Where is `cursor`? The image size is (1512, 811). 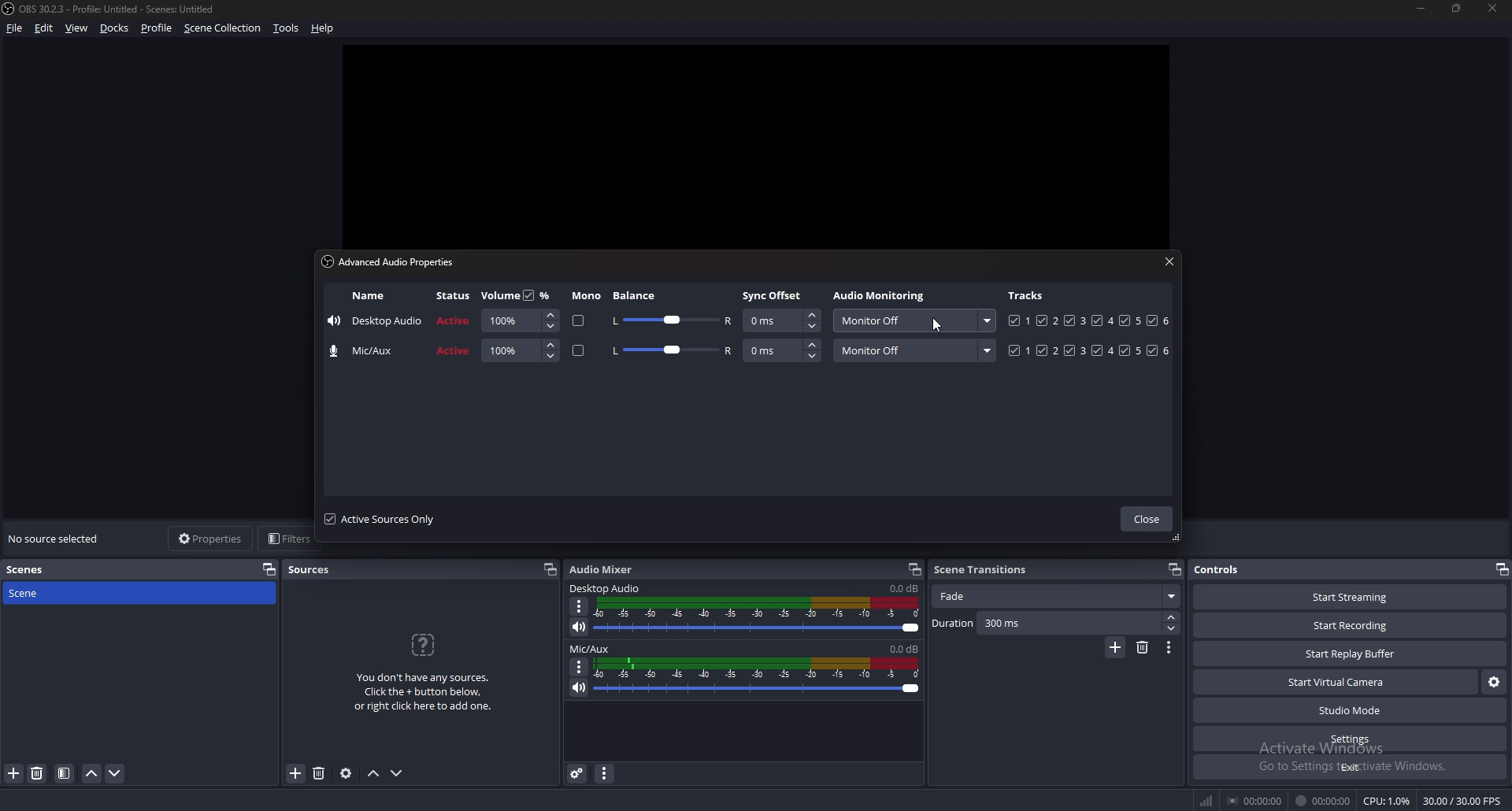
cursor is located at coordinates (936, 327).